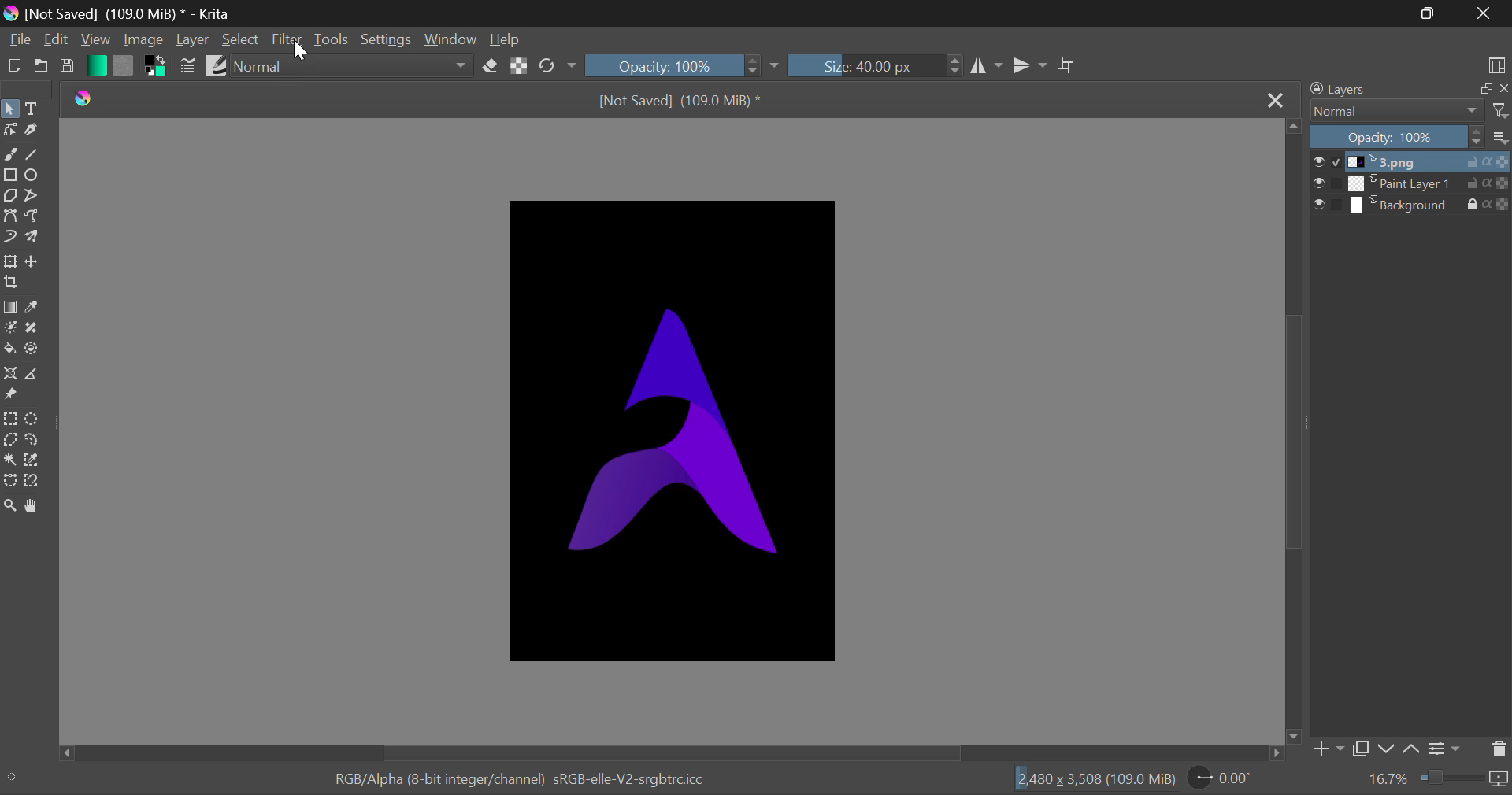  Describe the element at coordinates (9, 238) in the screenshot. I see `Dynamic Brush` at that location.